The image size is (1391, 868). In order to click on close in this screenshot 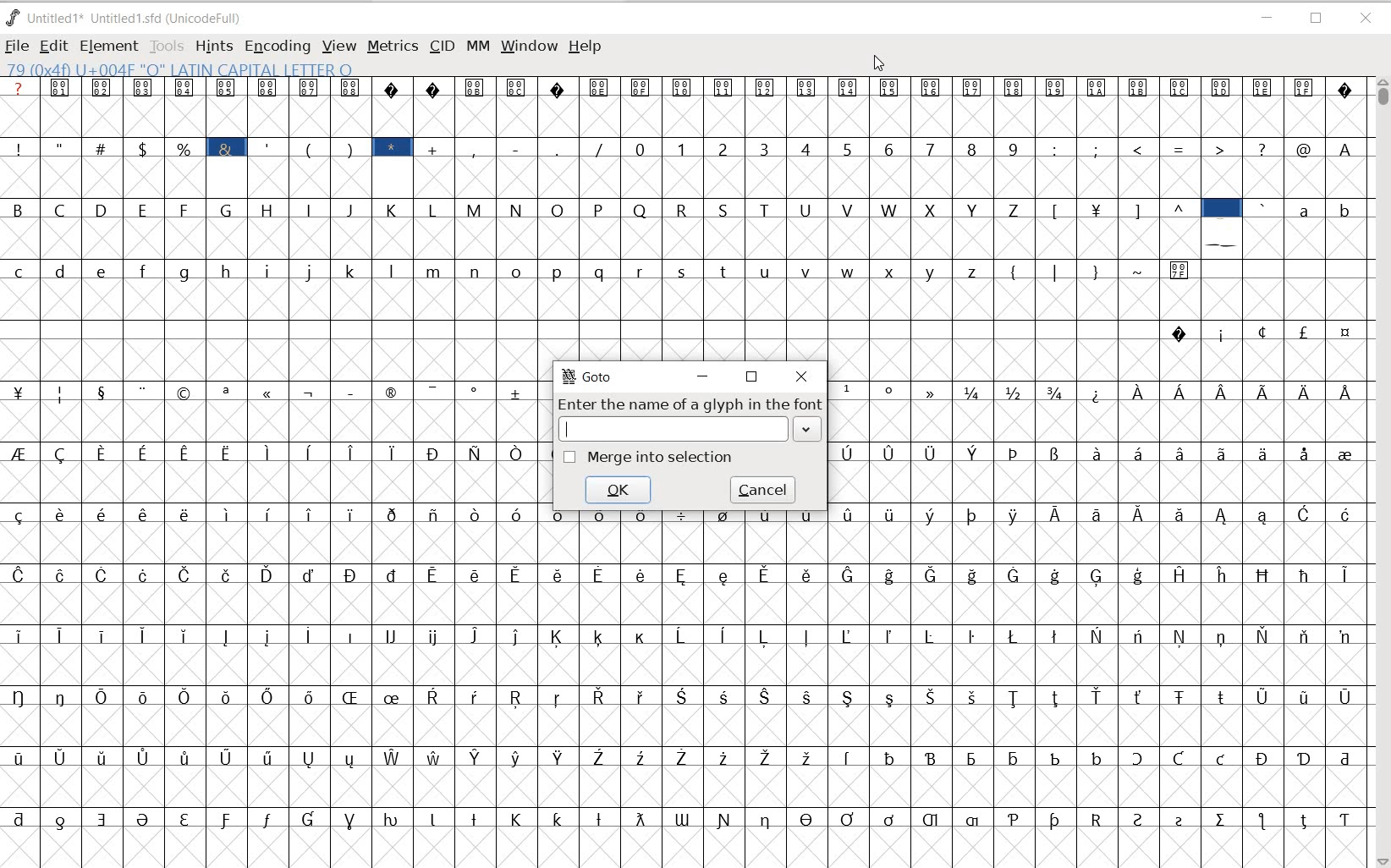, I will do `click(804, 377)`.